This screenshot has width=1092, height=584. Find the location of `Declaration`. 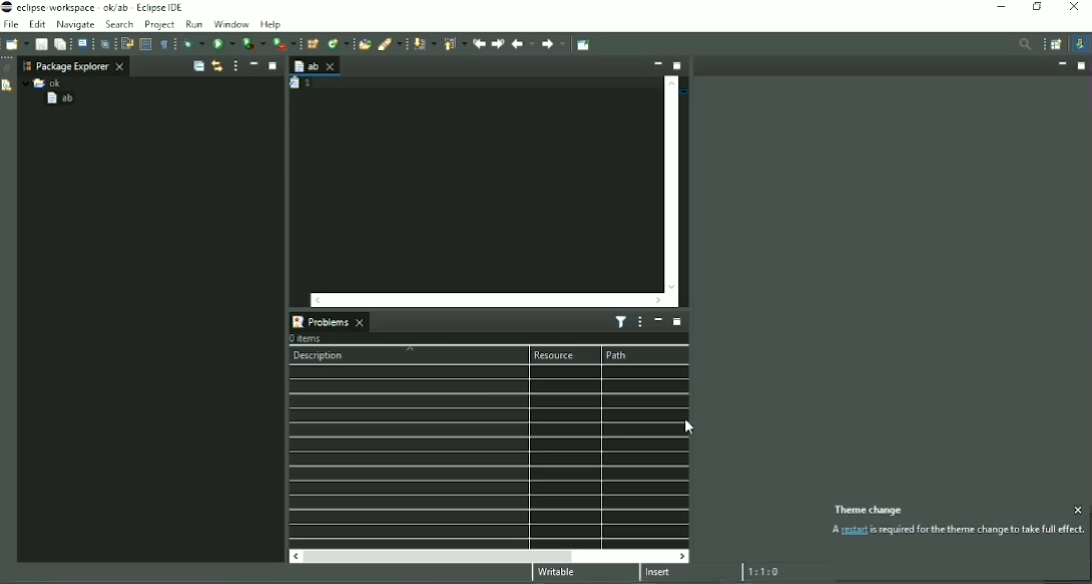

Declaration is located at coordinates (8, 88).